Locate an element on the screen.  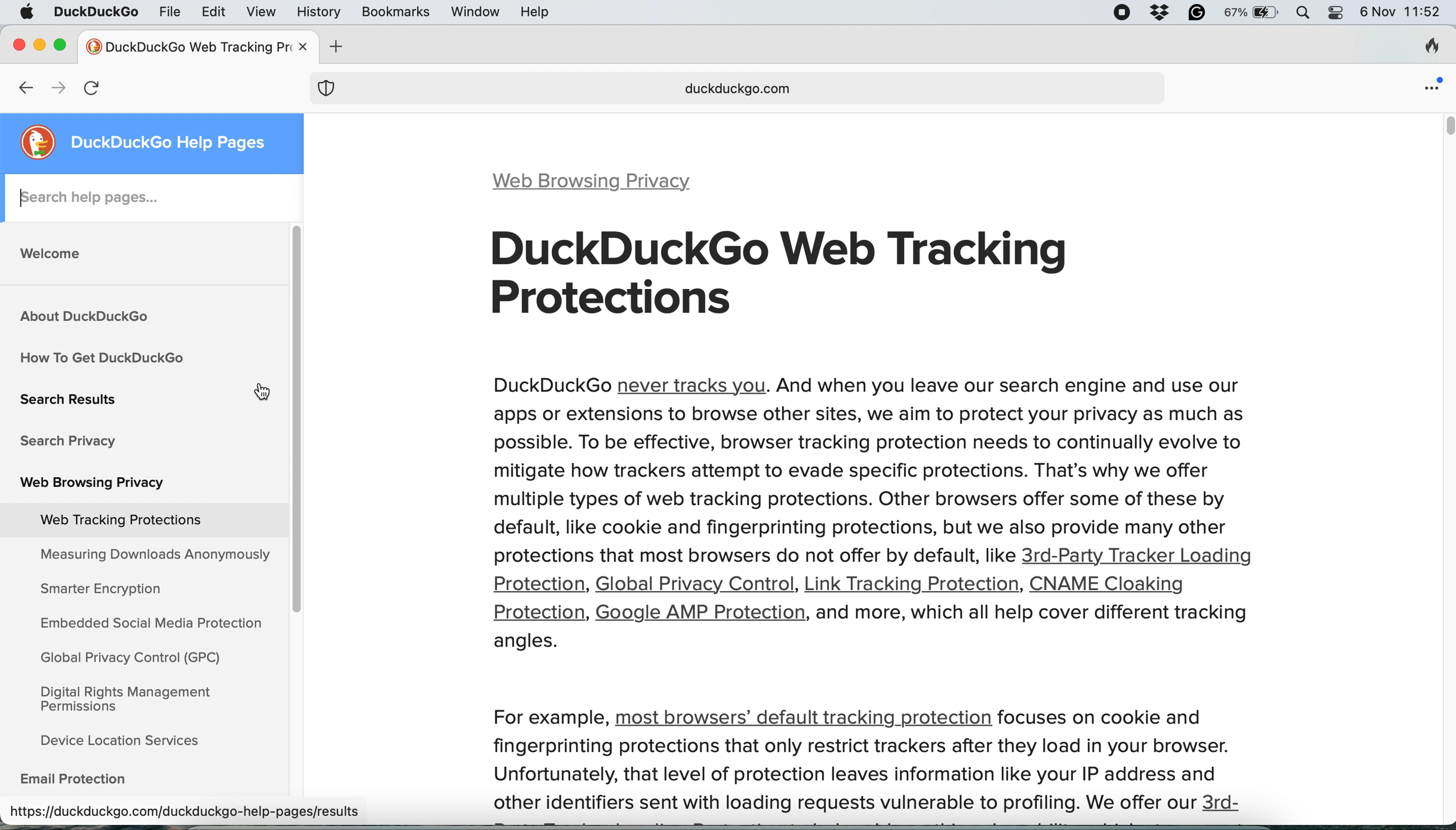
search help pages is located at coordinates (153, 198).